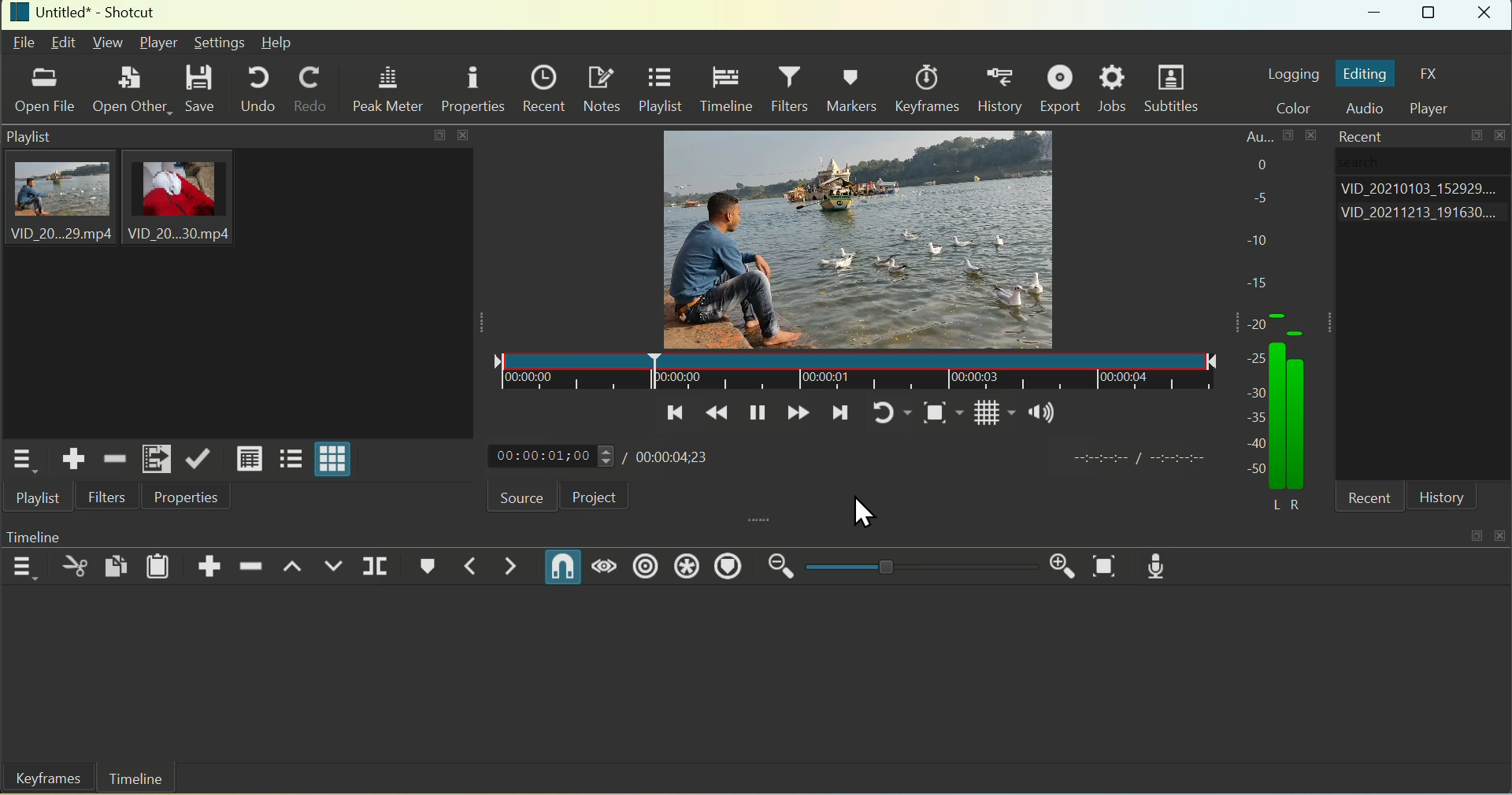 This screenshot has height=795, width=1512. Describe the element at coordinates (212, 563) in the screenshot. I see `Append` at that location.